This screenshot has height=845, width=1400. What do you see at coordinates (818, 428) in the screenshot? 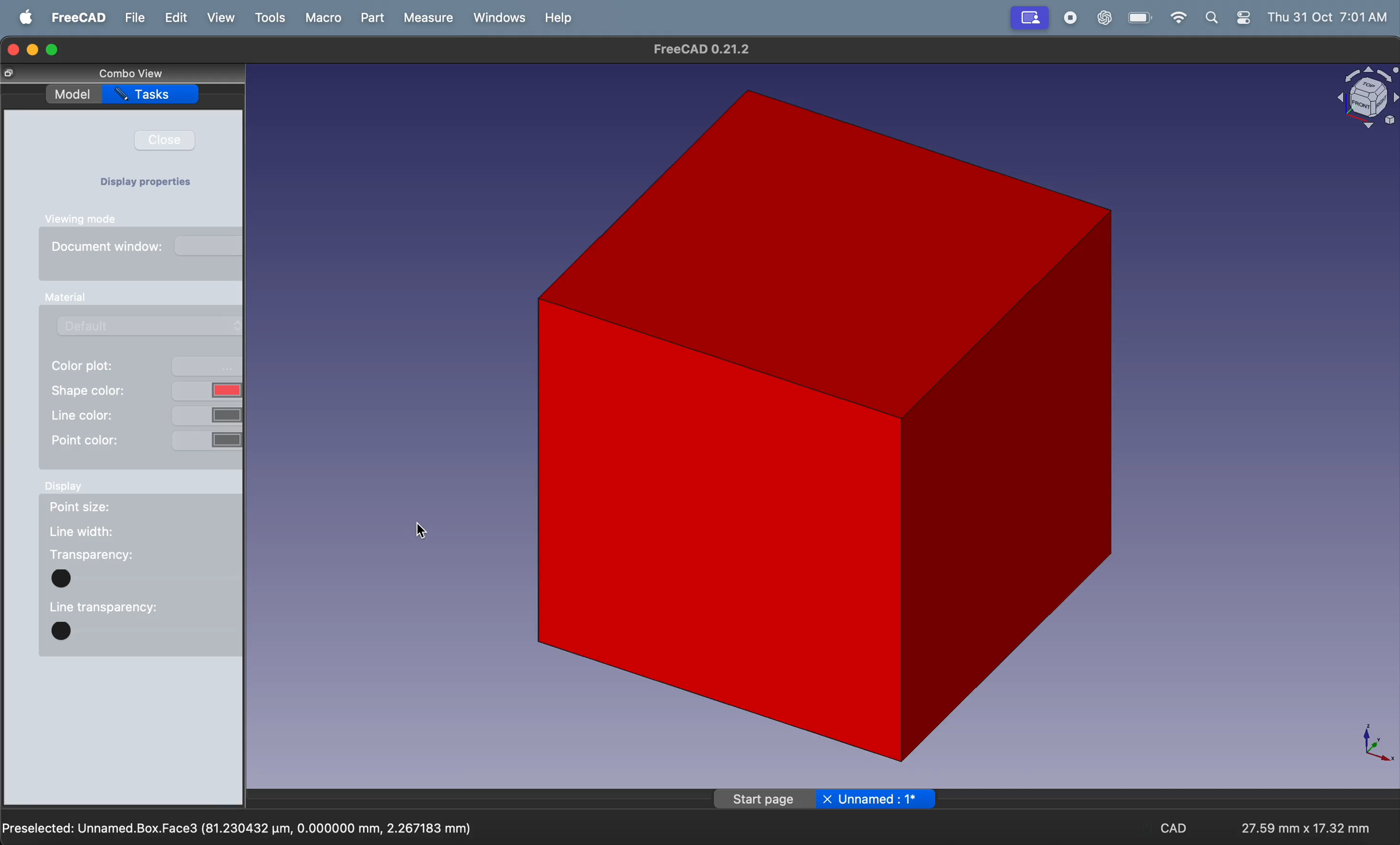
I see `box` at bounding box center [818, 428].